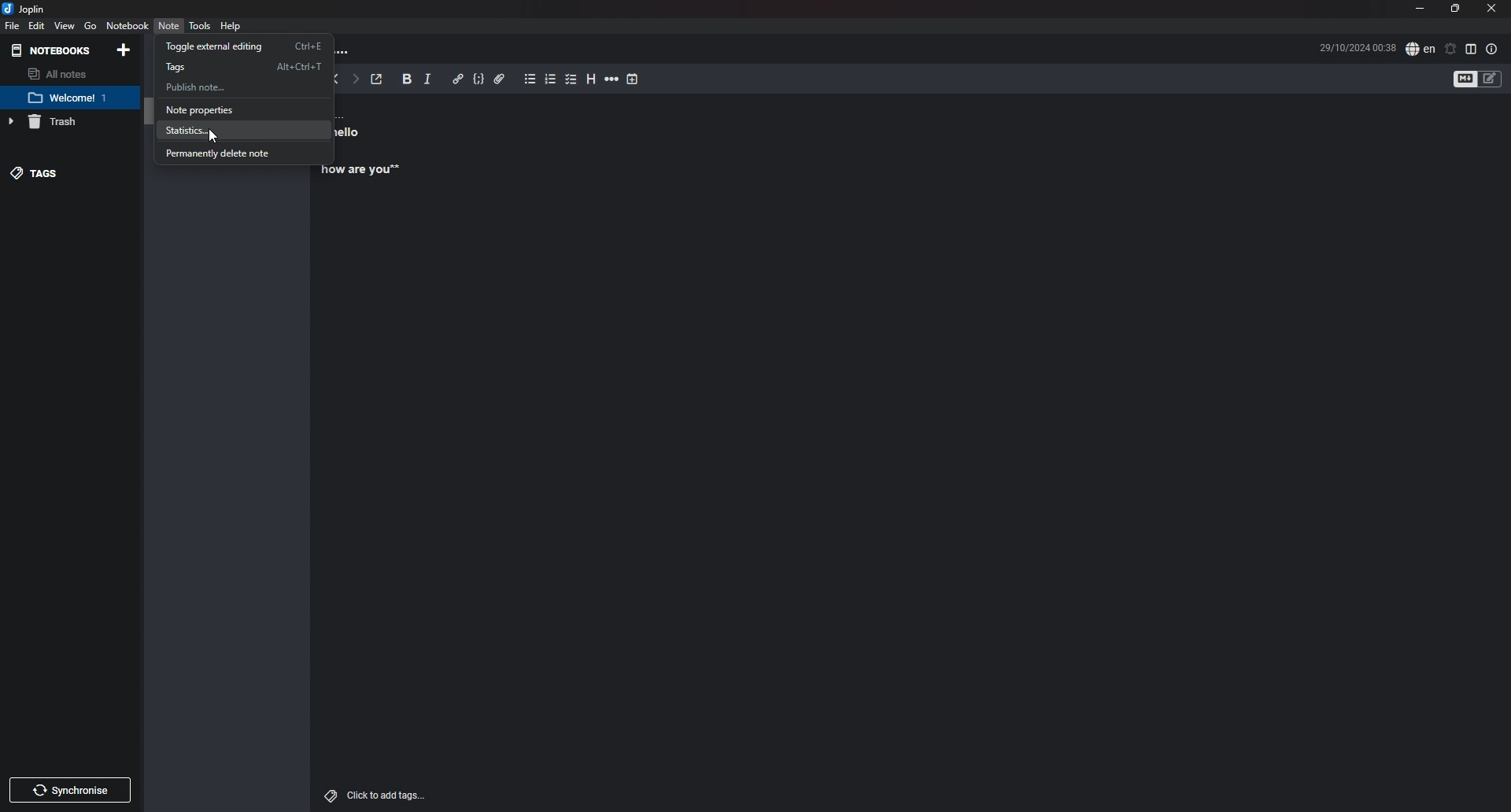 The image size is (1511, 812). What do you see at coordinates (228, 130) in the screenshot?
I see `Statistics` at bounding box center [228, 130].